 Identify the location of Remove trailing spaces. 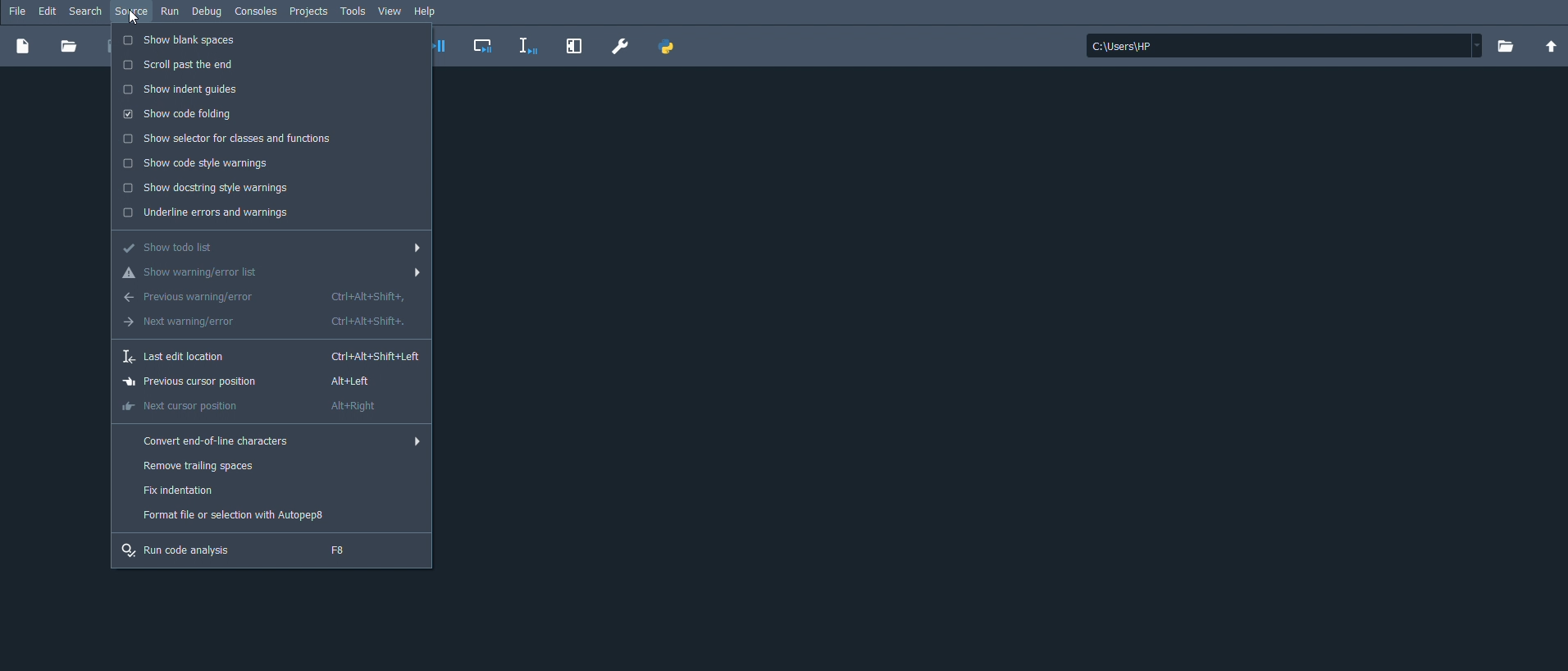
(202, 468).